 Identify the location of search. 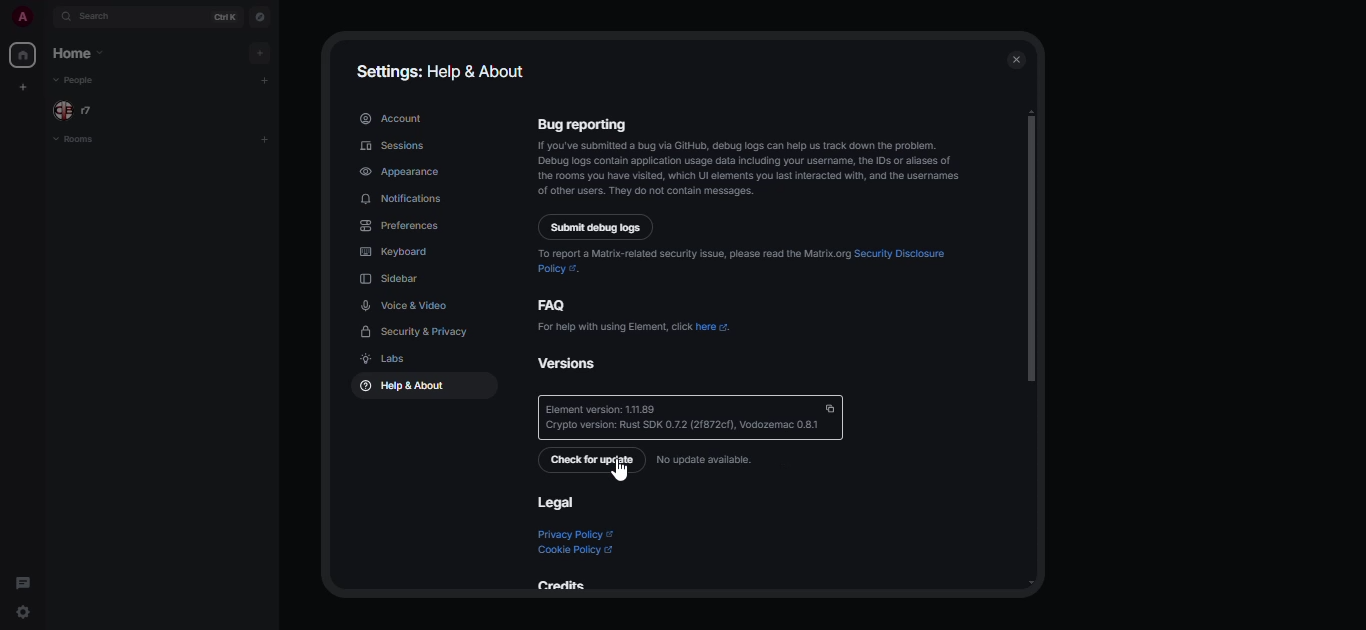
(95, 16).